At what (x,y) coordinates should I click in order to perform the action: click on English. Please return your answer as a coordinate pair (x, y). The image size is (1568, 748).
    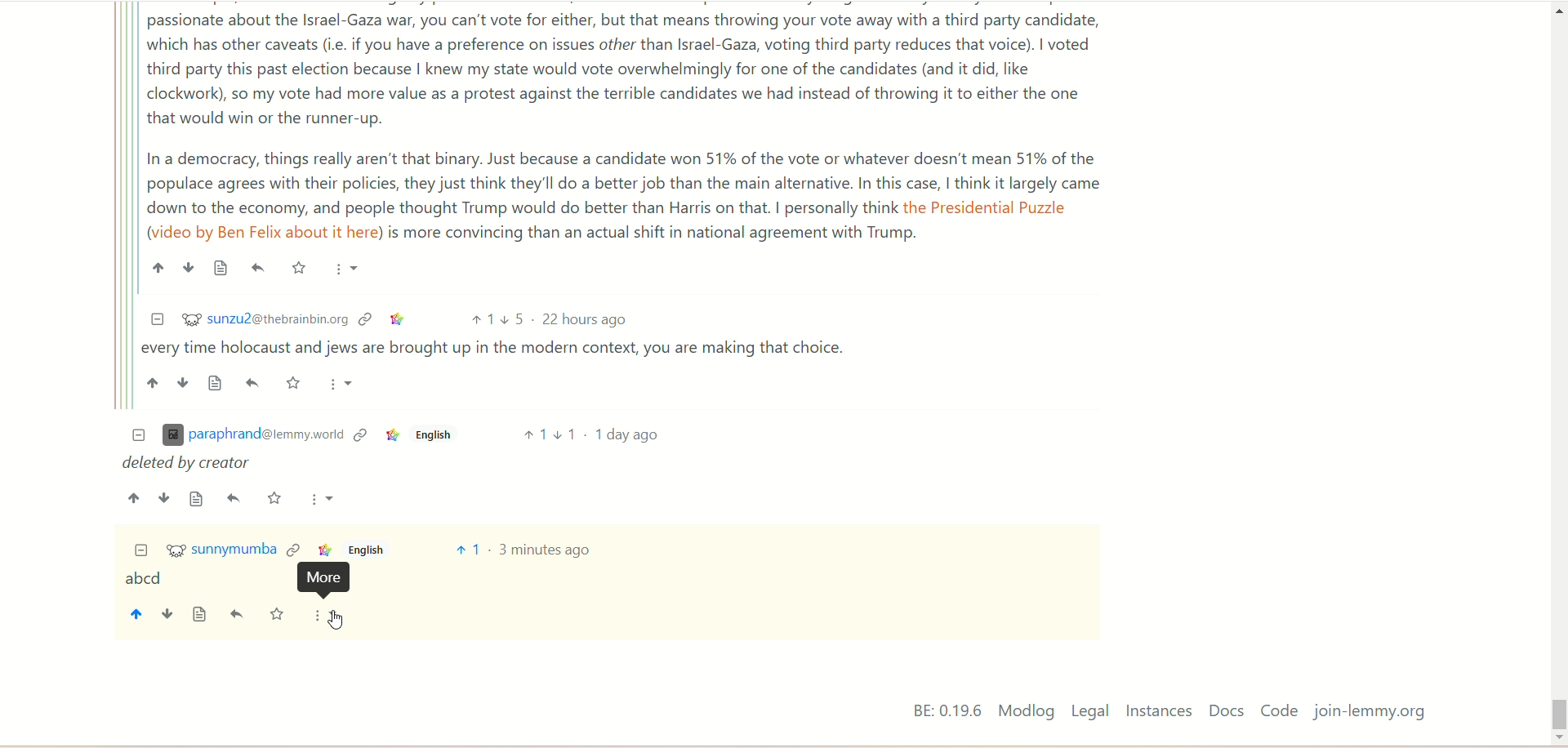
    Looking at the image, I should click on (365, 550).